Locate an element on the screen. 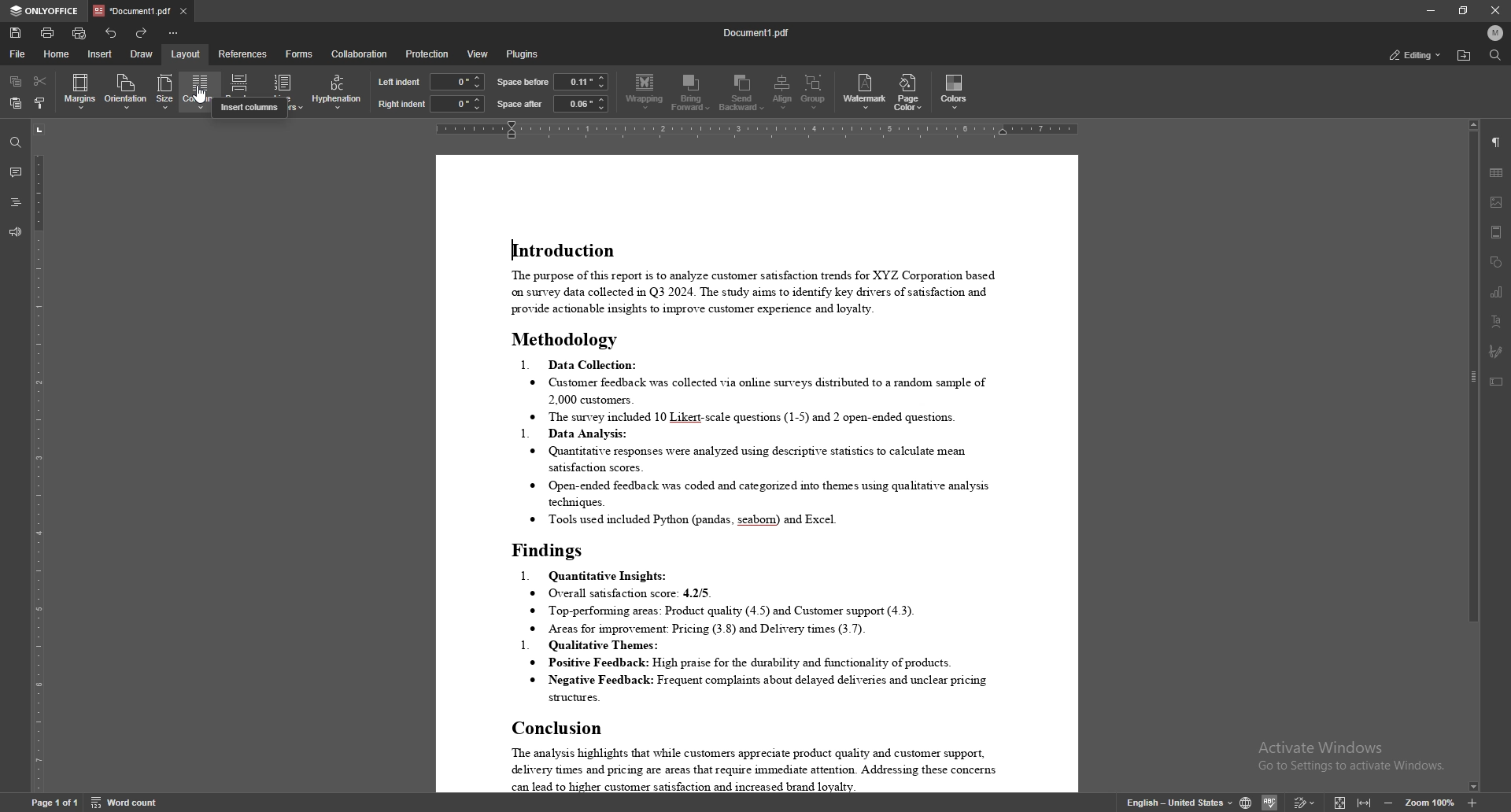 The image size is (1511, 812). cursor is located at coordinates (205, 101).